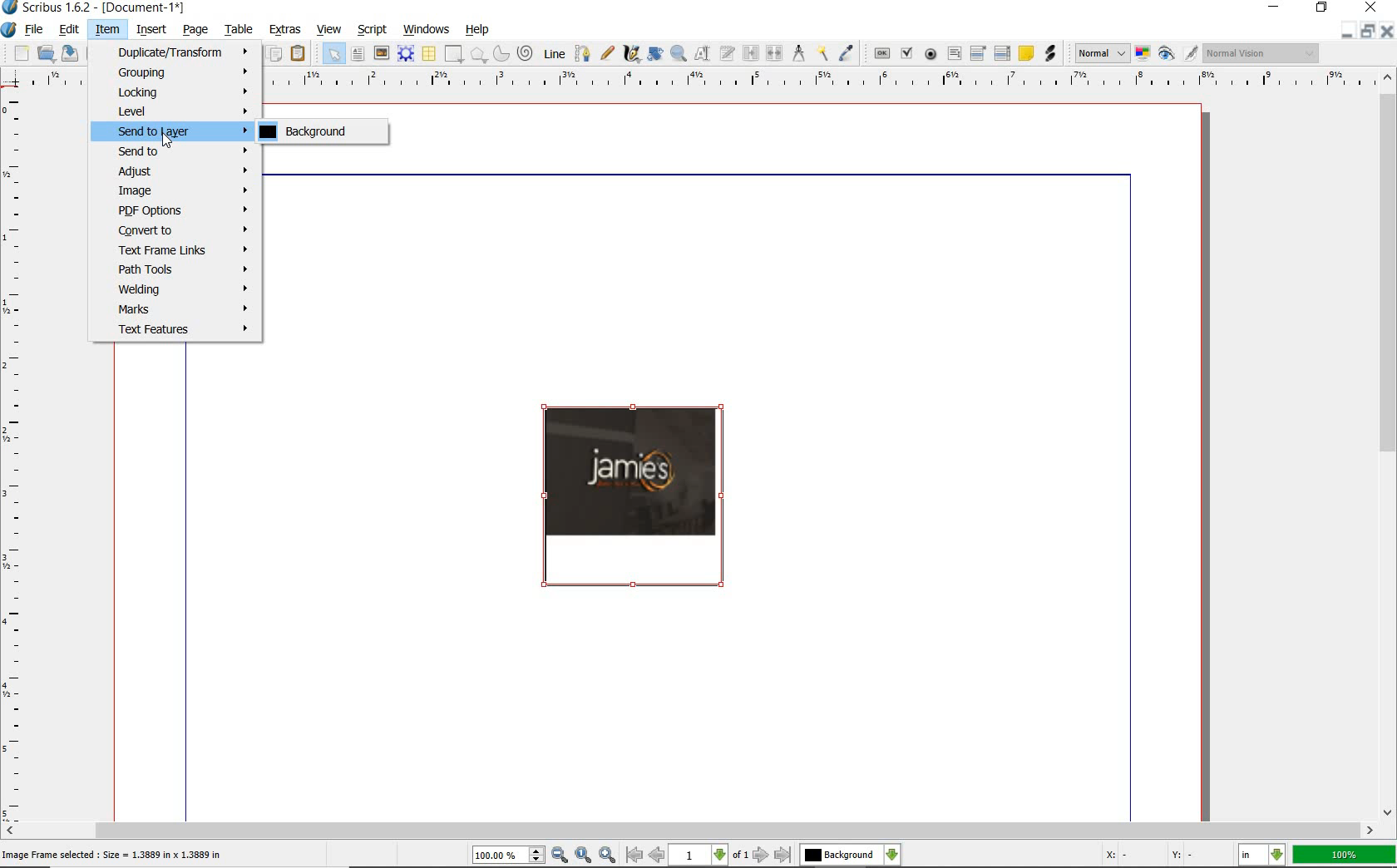 The height and width of the screenshot is (868, 1397). Describe the element at coordinates (501, 54) in the screenshot. I see `arc` at that location.